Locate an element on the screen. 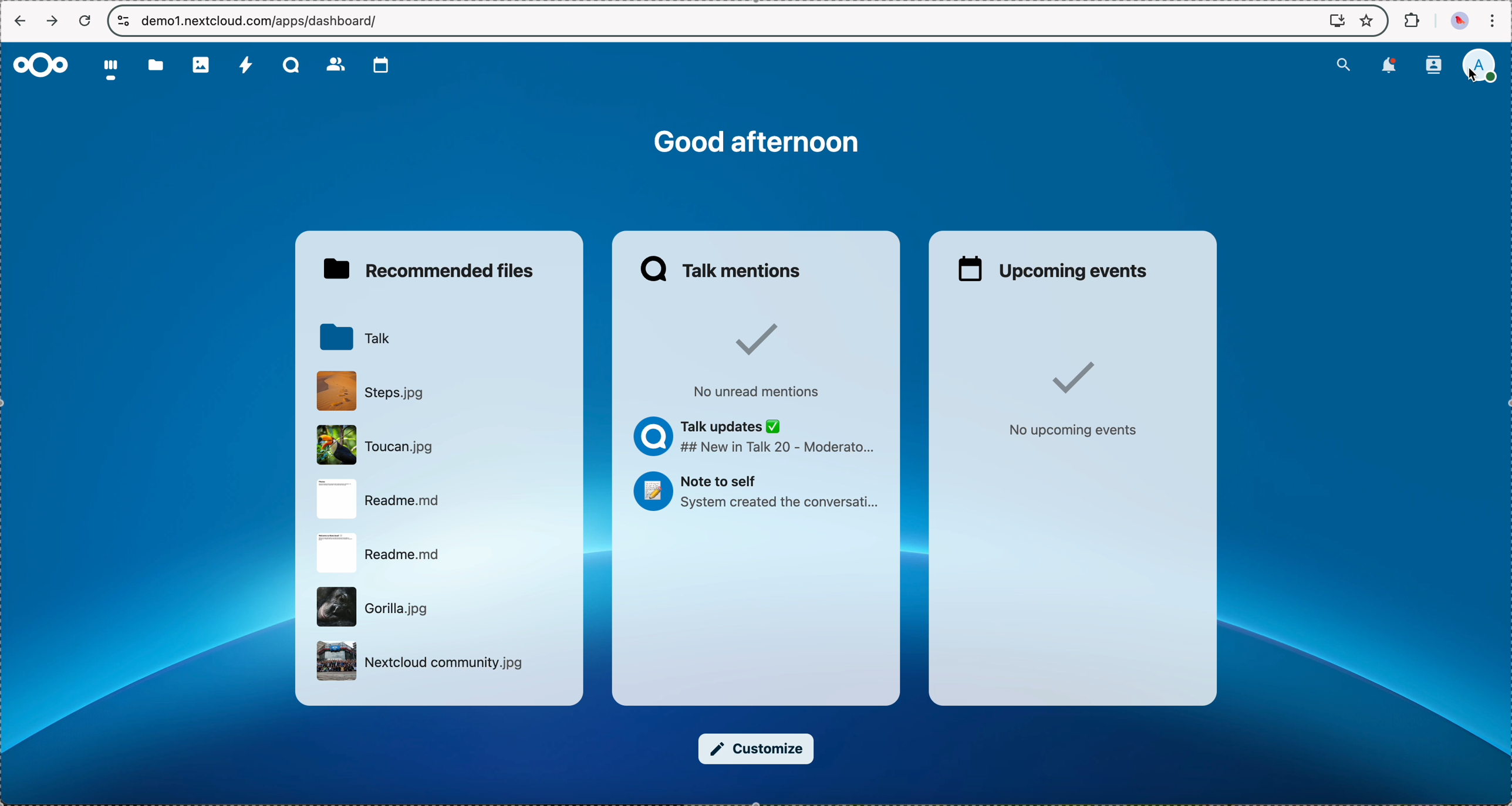  URL is located at coordinates (261, 21).